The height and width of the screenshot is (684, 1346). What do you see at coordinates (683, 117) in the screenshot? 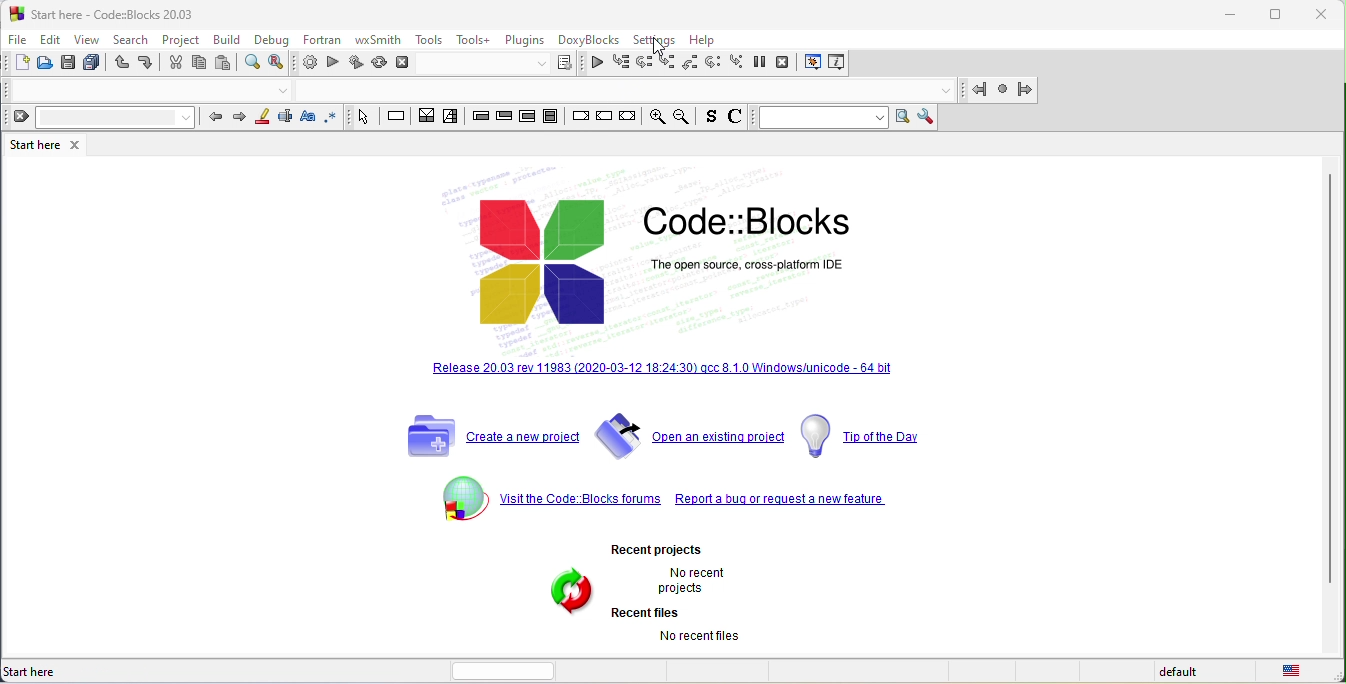
I see `zoom out` at bounding box center [683, 117].